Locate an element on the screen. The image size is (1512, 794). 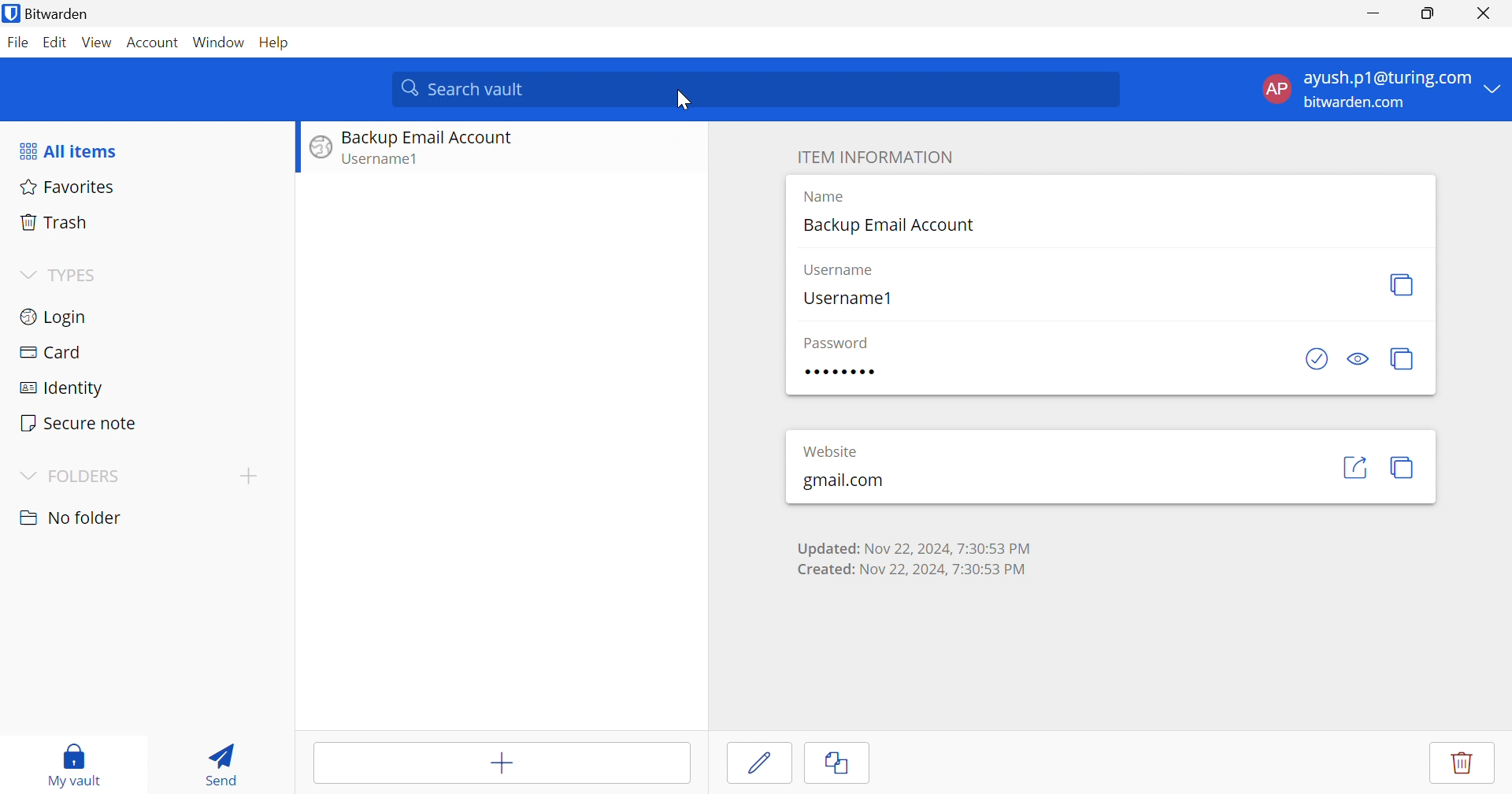
bitwarden logo is located at coordinates (11, 13).